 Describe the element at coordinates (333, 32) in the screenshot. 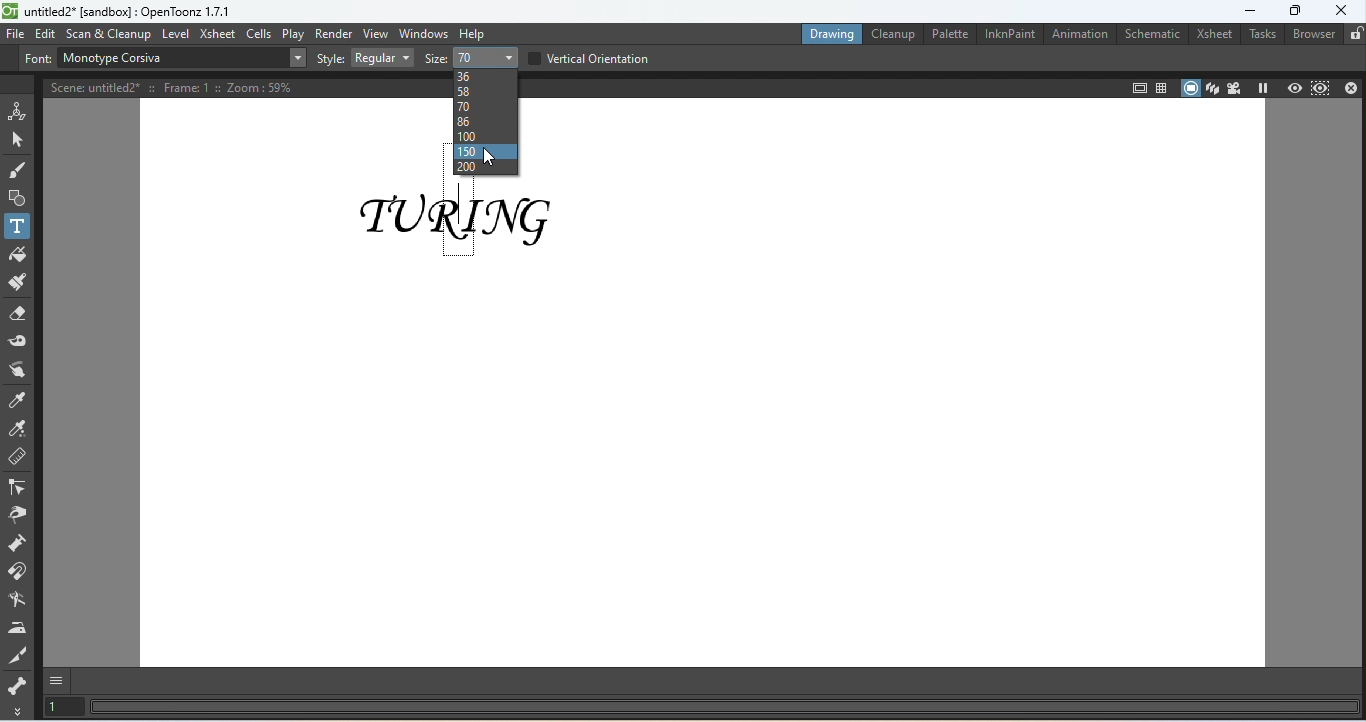

I see `Render` at that location.